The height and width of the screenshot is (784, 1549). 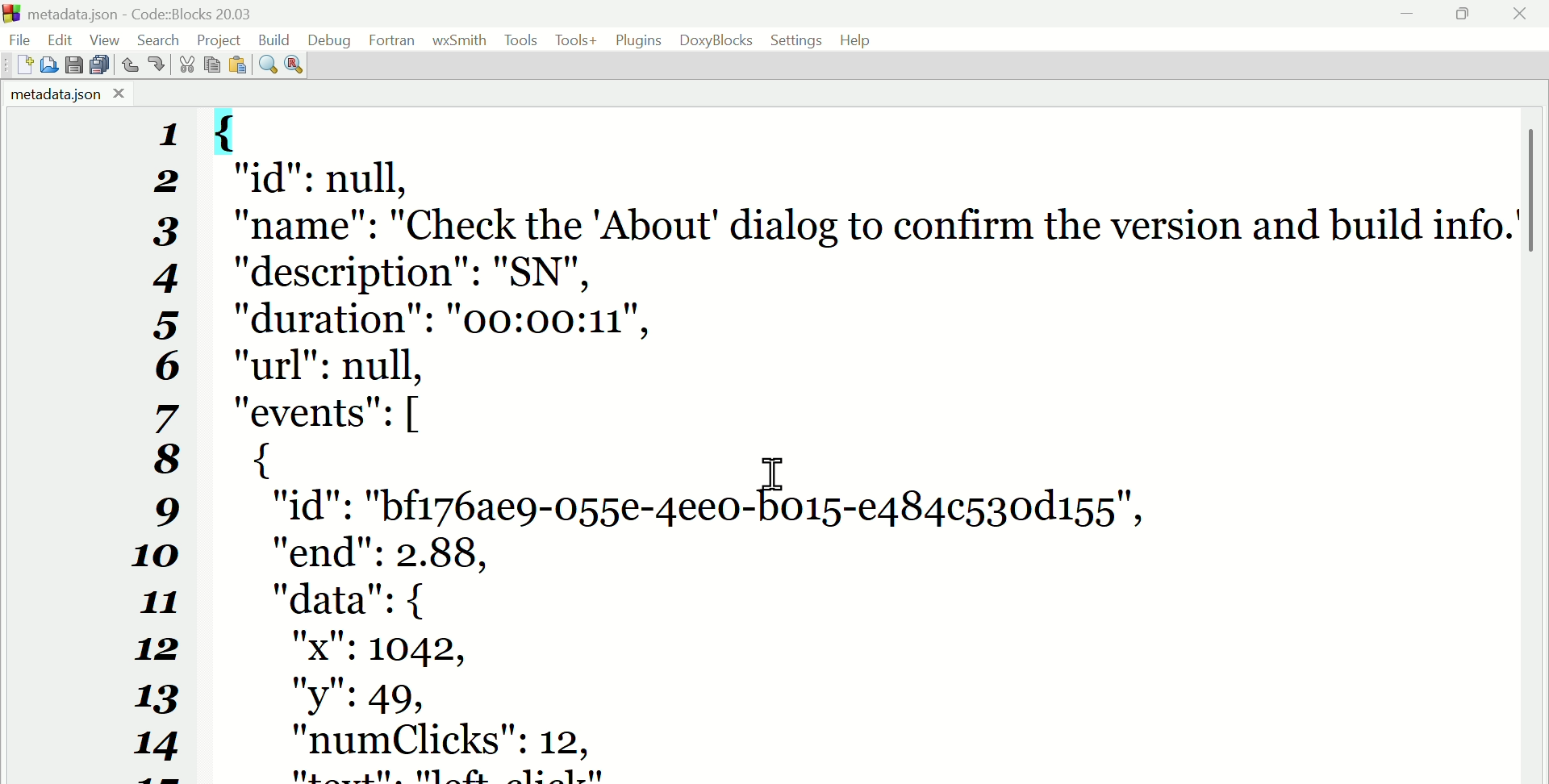 What do you see at coordinates (101, 65) in the screenshot?
I see `Save all` at bounding box center [101, 65].